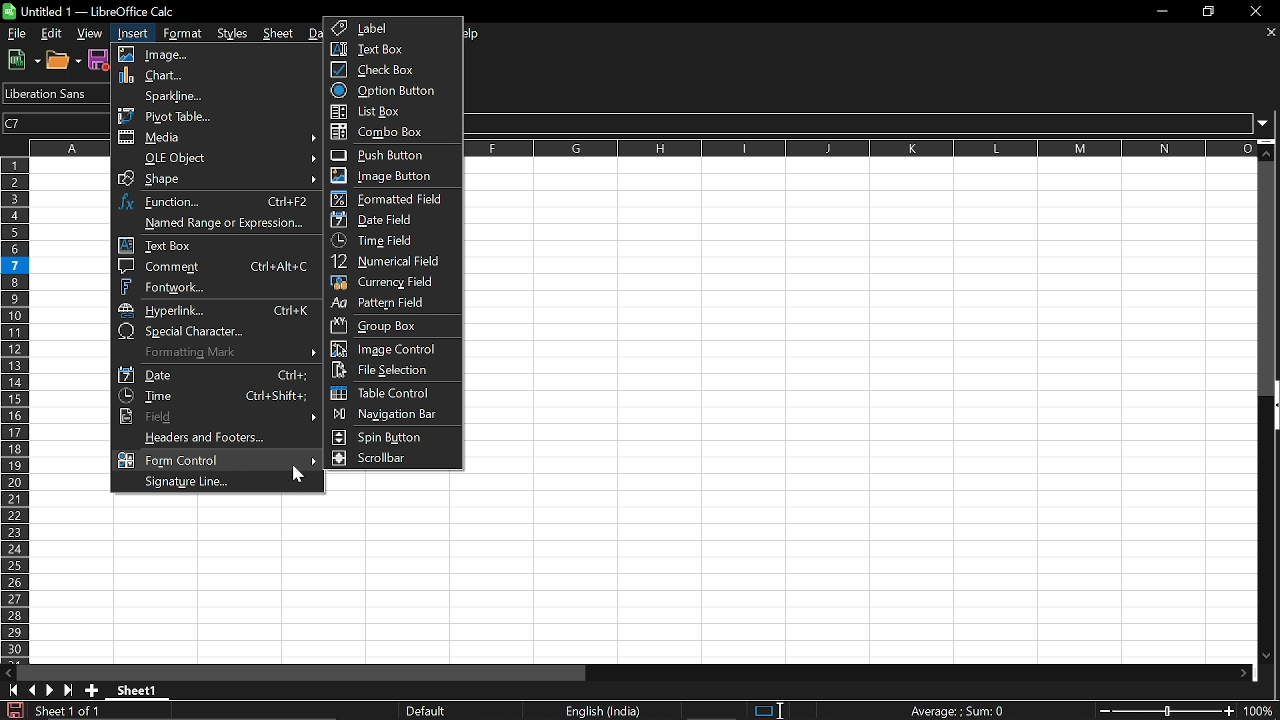 The image size is (1280, 720). Describe the element at coordinates (1269, 149) in the screenshot. I see `Move down` at that location.